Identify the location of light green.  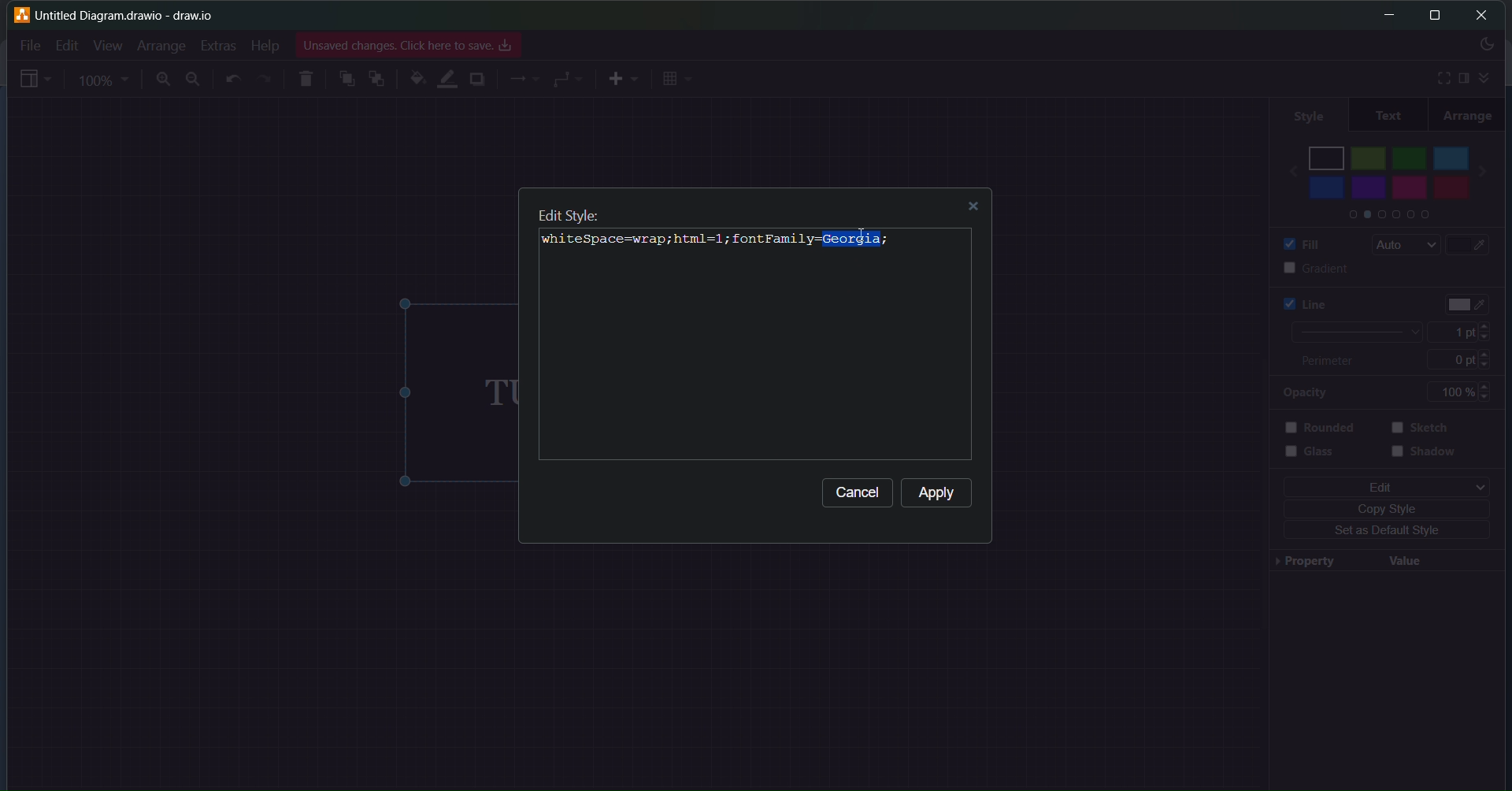
(1369, 158).